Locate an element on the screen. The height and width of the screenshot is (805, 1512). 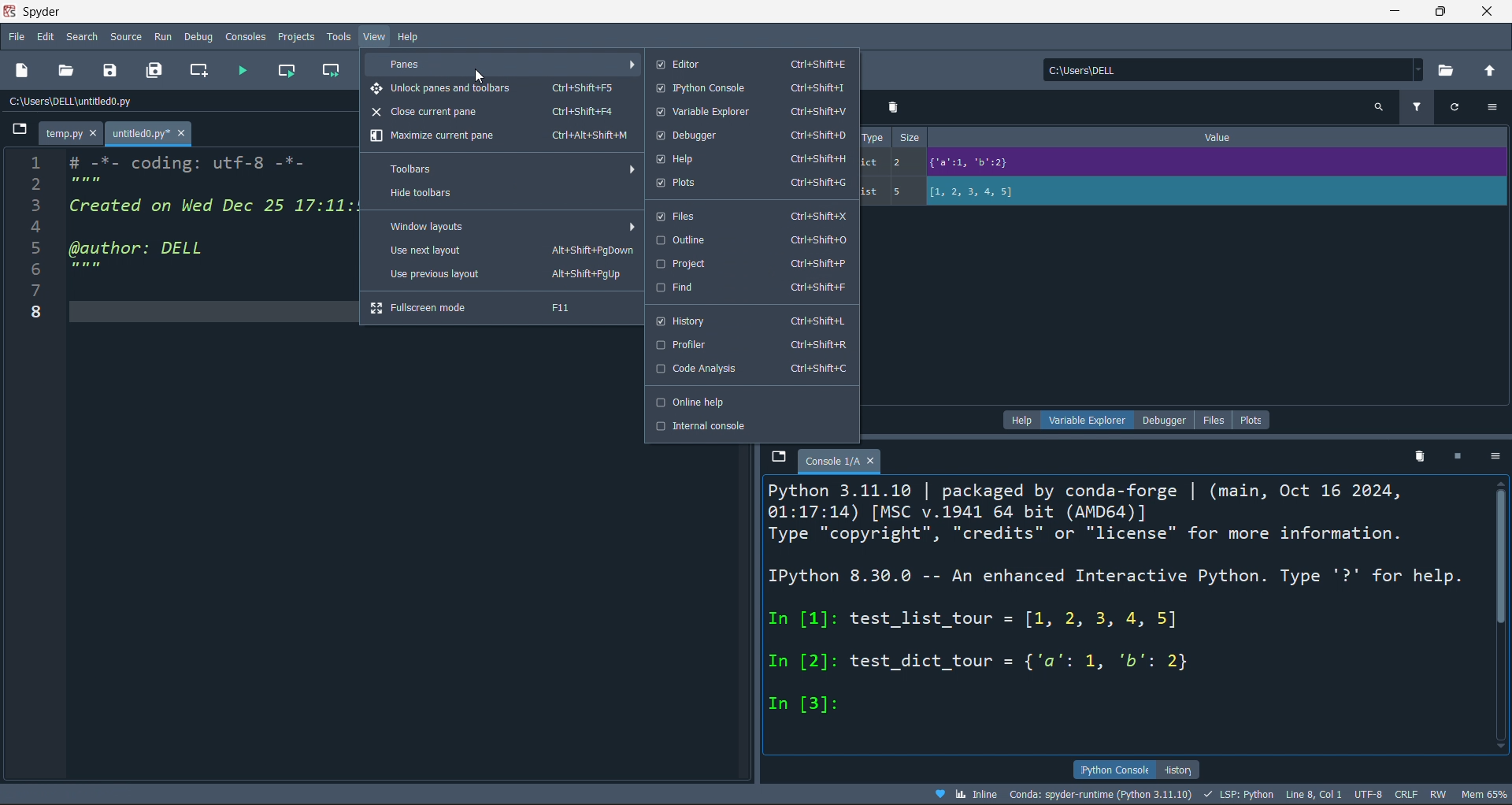
untitled is located at coordinates (149, 134).